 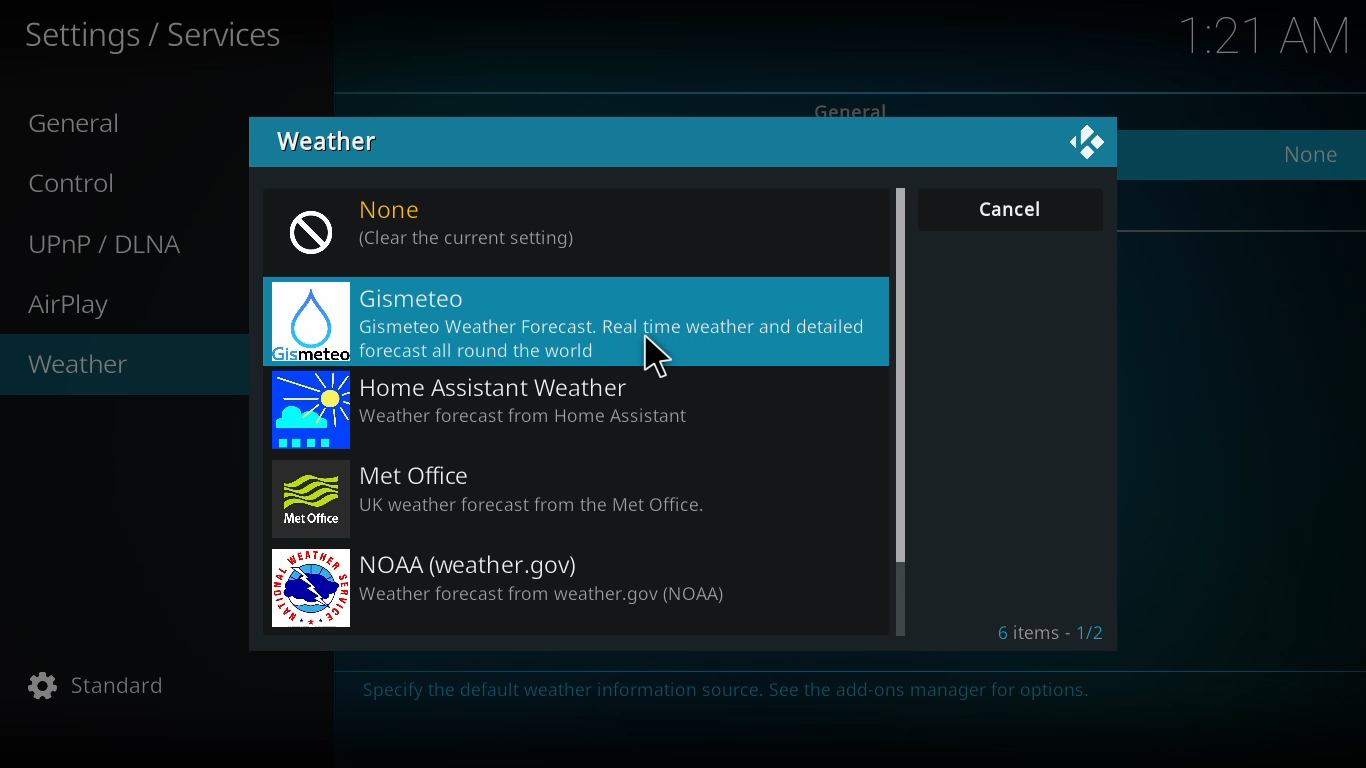 I want to click on weather, so click(x=330, y=140).